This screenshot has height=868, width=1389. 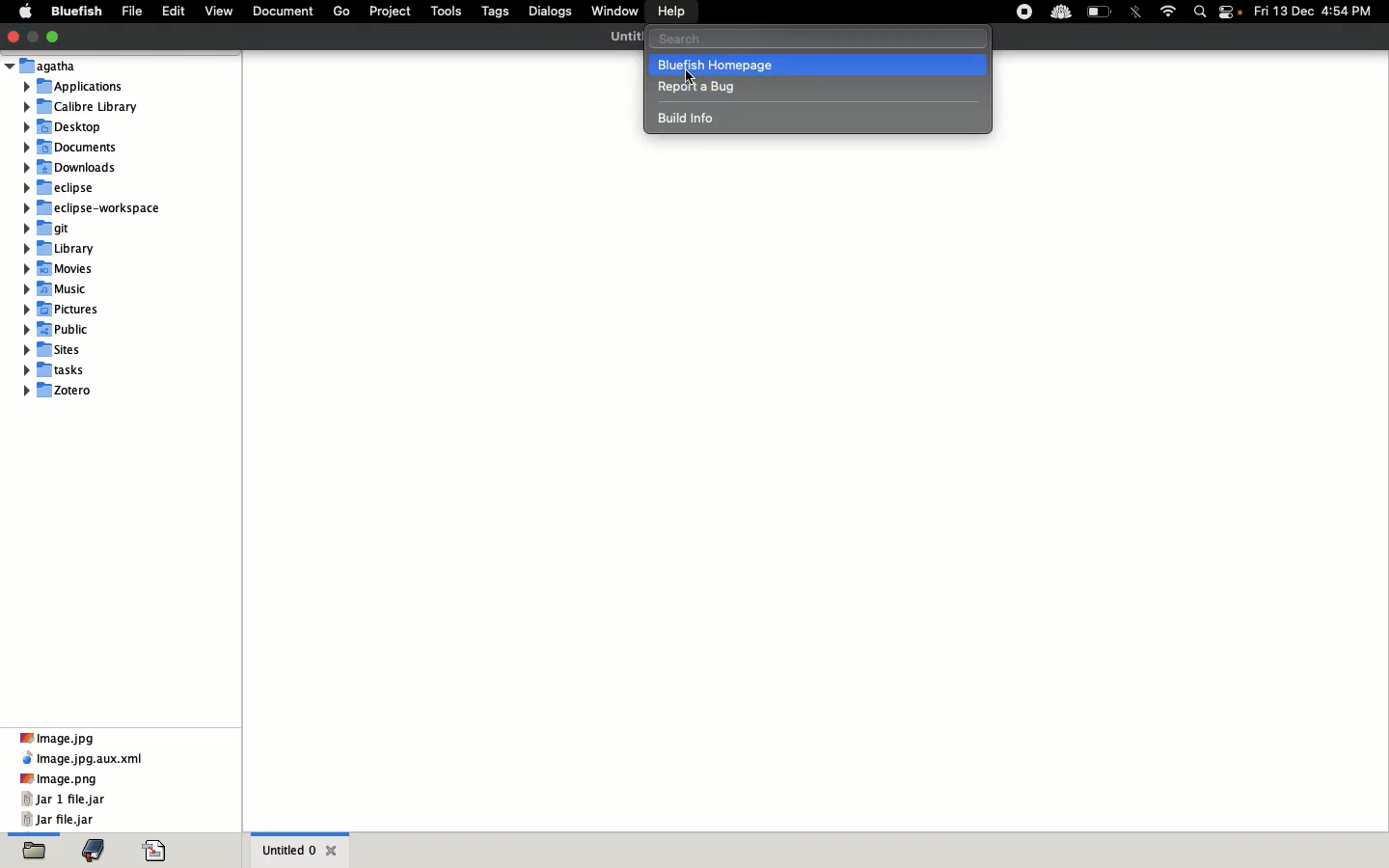 I want to click on music, so click(x=61, y=289).